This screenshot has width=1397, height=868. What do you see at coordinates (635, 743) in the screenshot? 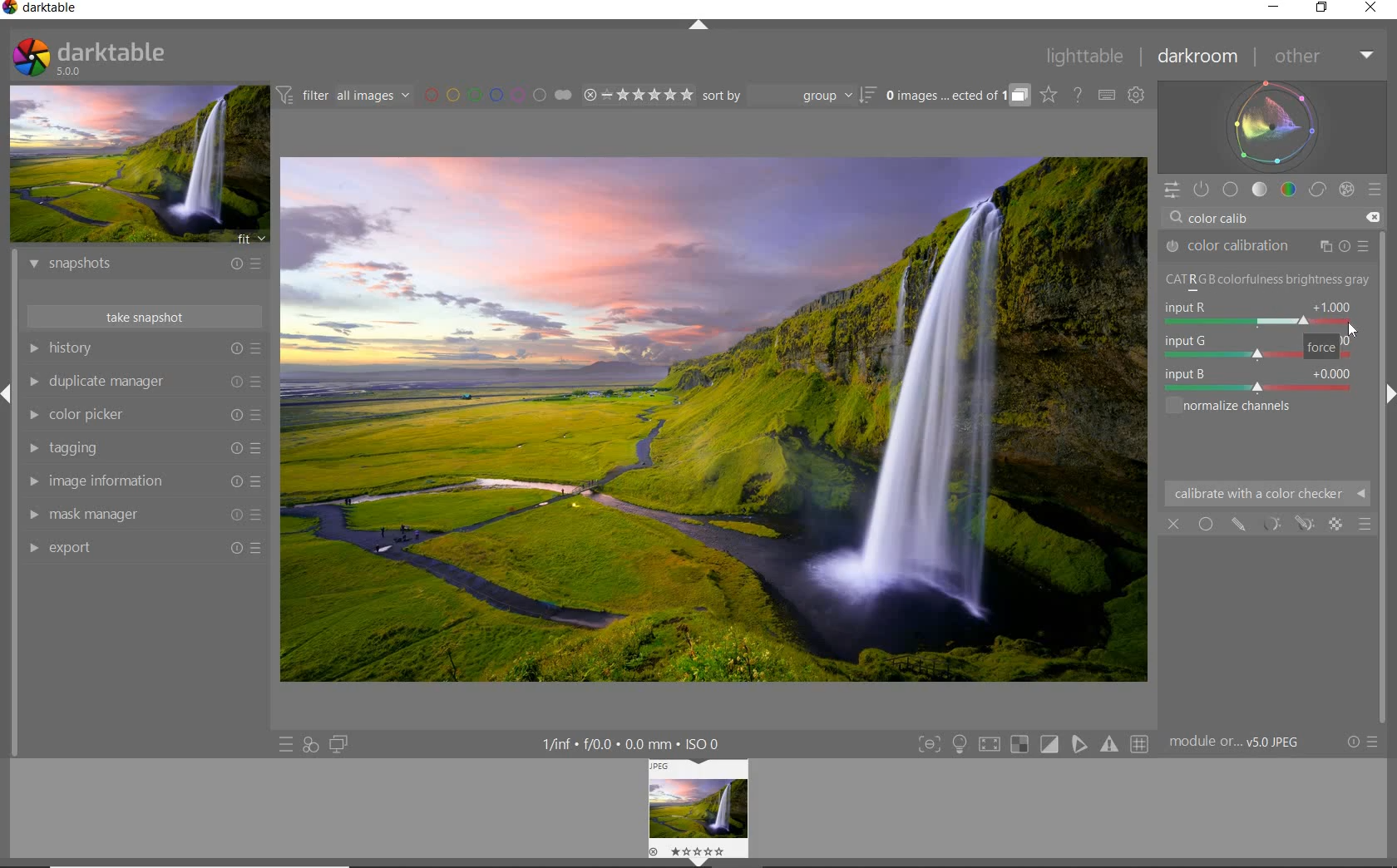
I see `DISPLAYED GUI INFO` at bounding box center [635, 743].